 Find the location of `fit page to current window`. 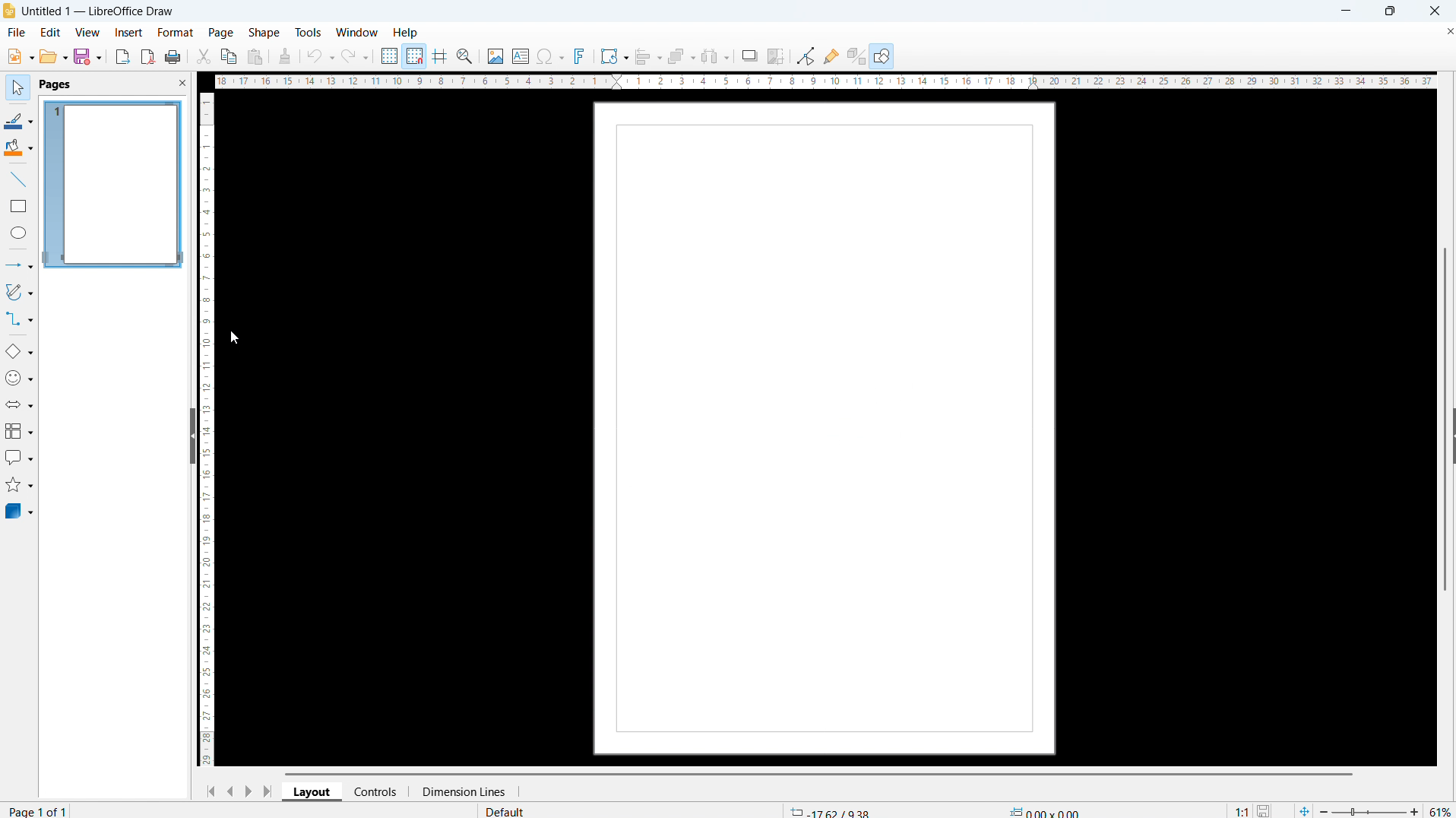

fit page to current window is located at coordinates (1304, 810).